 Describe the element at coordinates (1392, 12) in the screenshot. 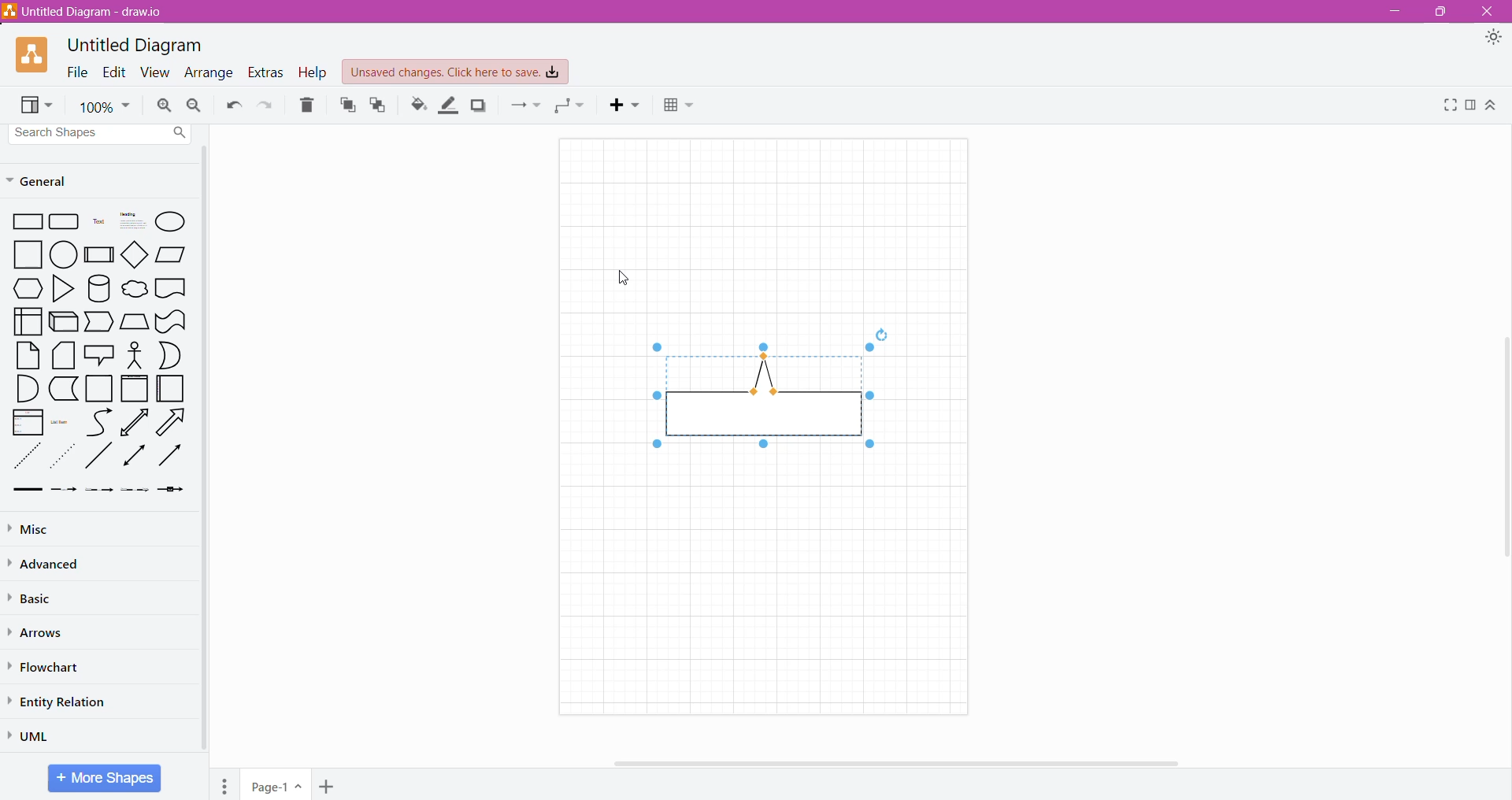

I see `Minimize` at that location.